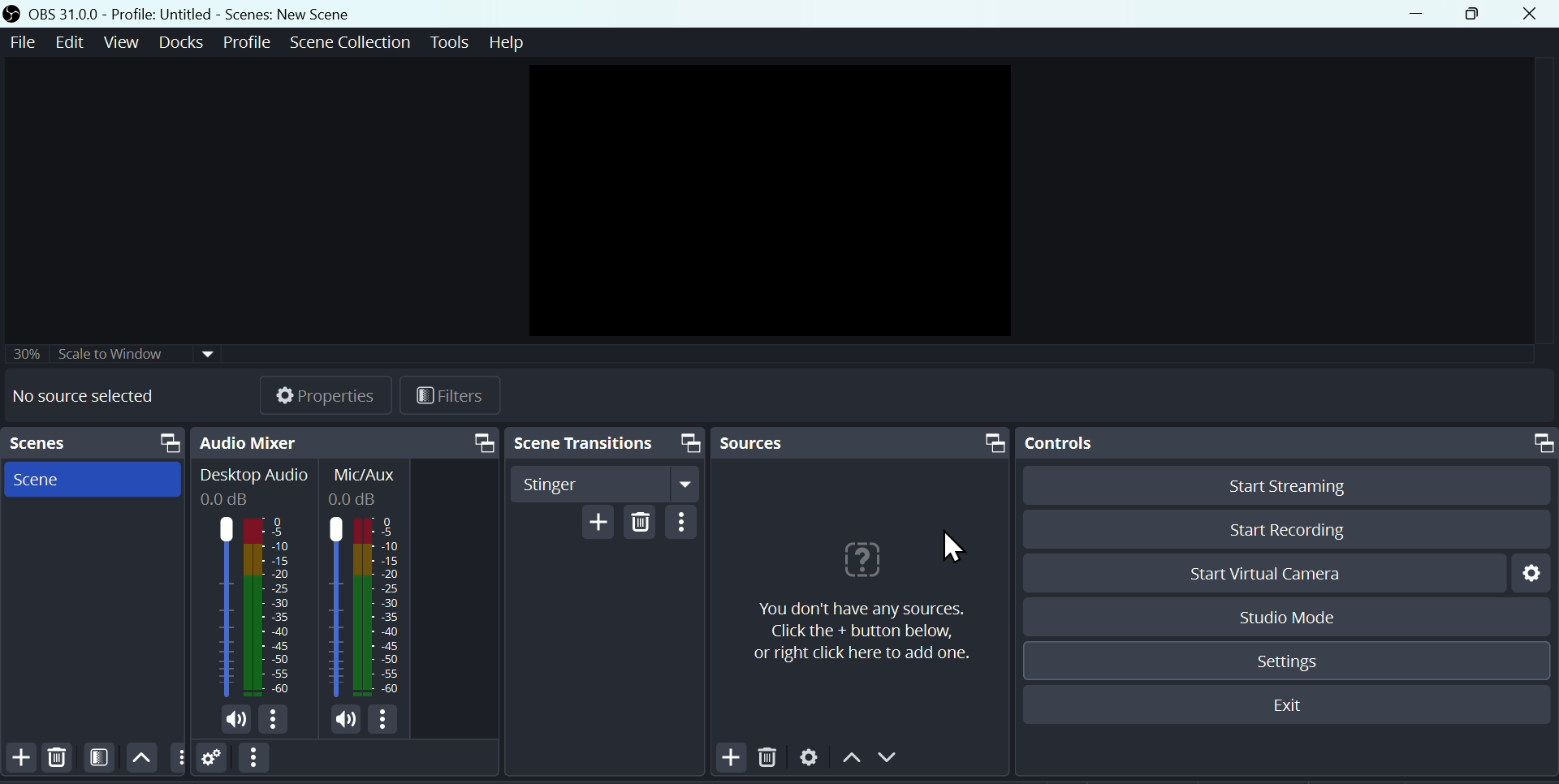 Image resolution: width=1559 pixels, height=784 pixels. Describe the element at coordinates (456, 393) in the screenshot. I see `Filters` at that location.